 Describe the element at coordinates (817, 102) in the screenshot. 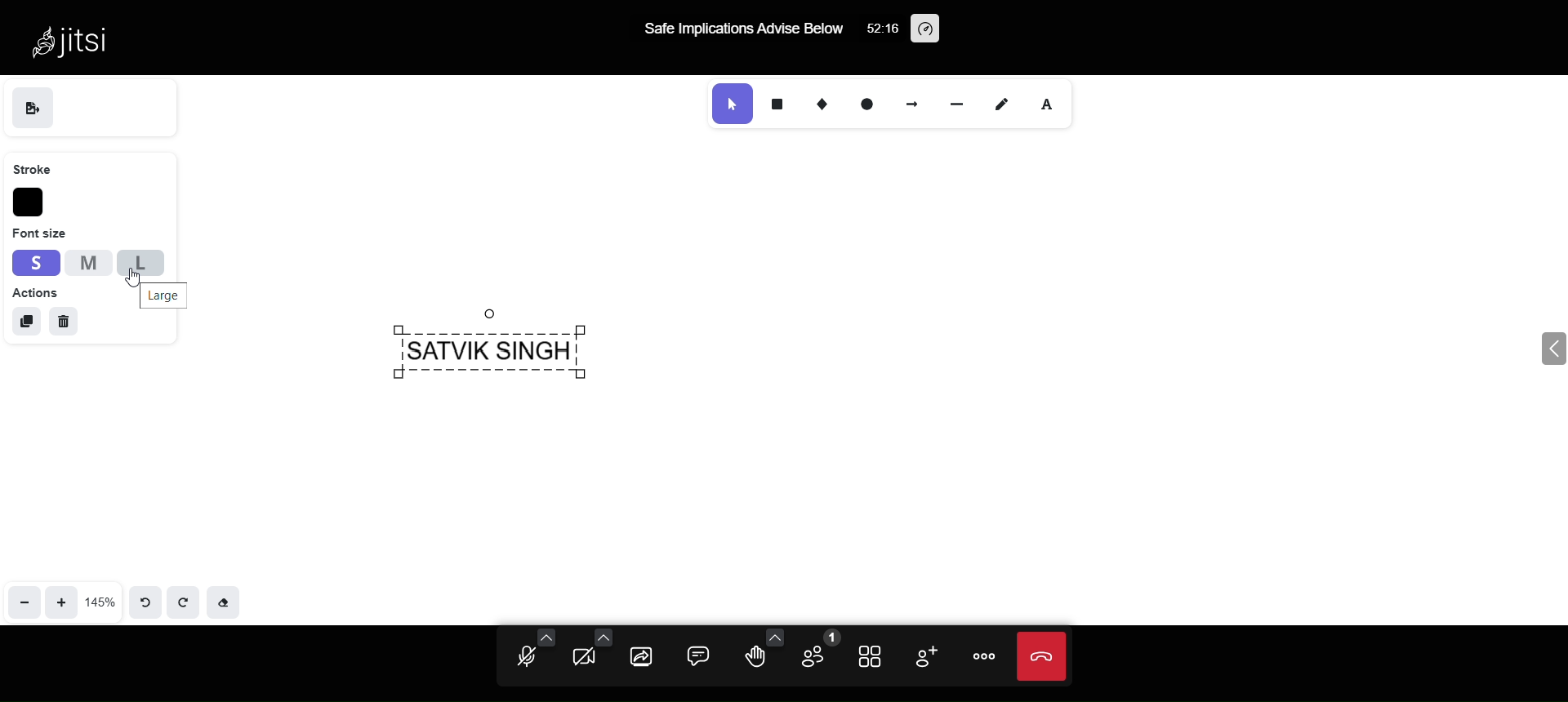

I see `Diamond` at that location.